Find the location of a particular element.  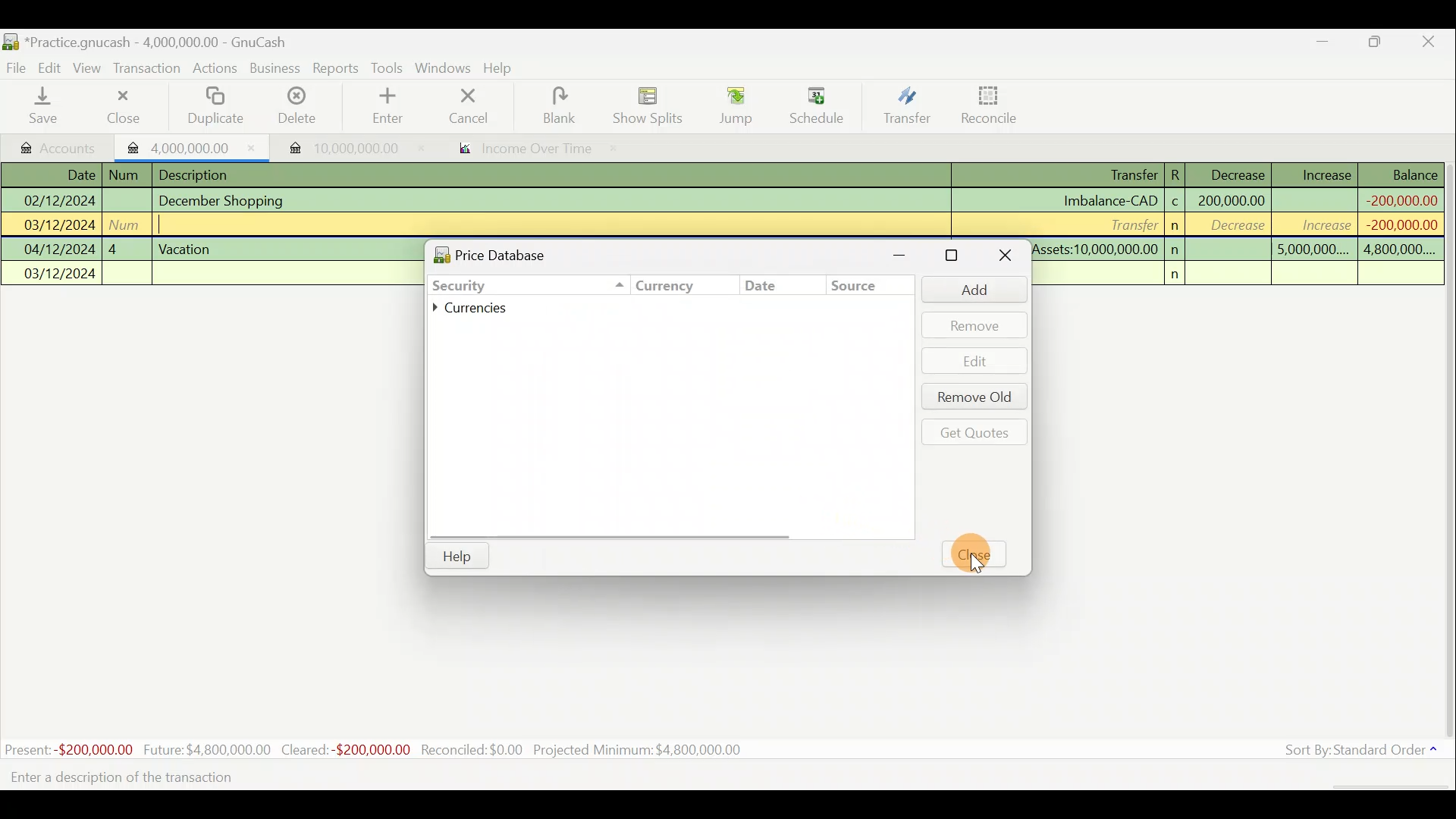

Decrease is located at coordinates (1237, 174).